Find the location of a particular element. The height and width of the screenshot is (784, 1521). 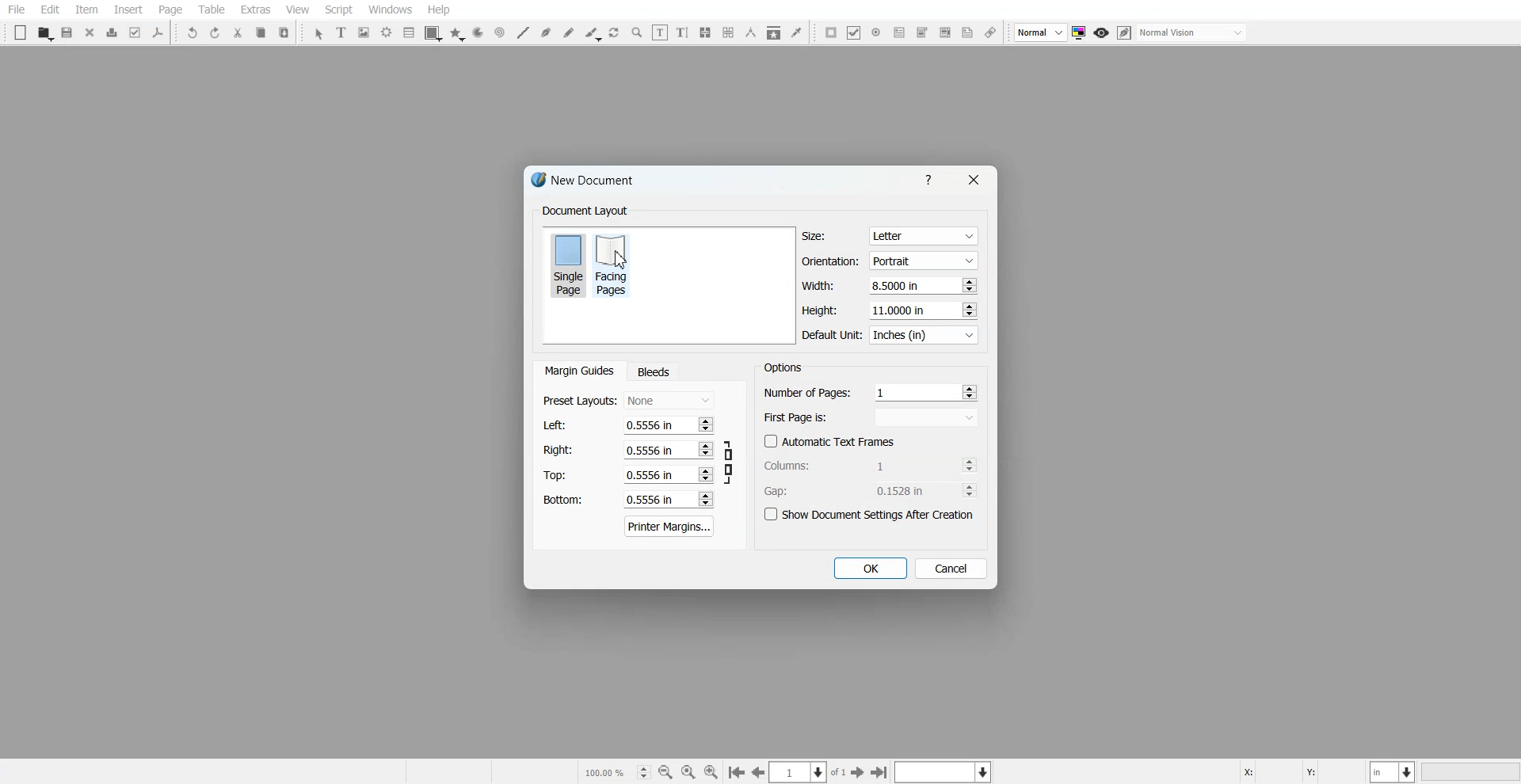

Increase and decrease No.  is located at coordinates (969, 465).